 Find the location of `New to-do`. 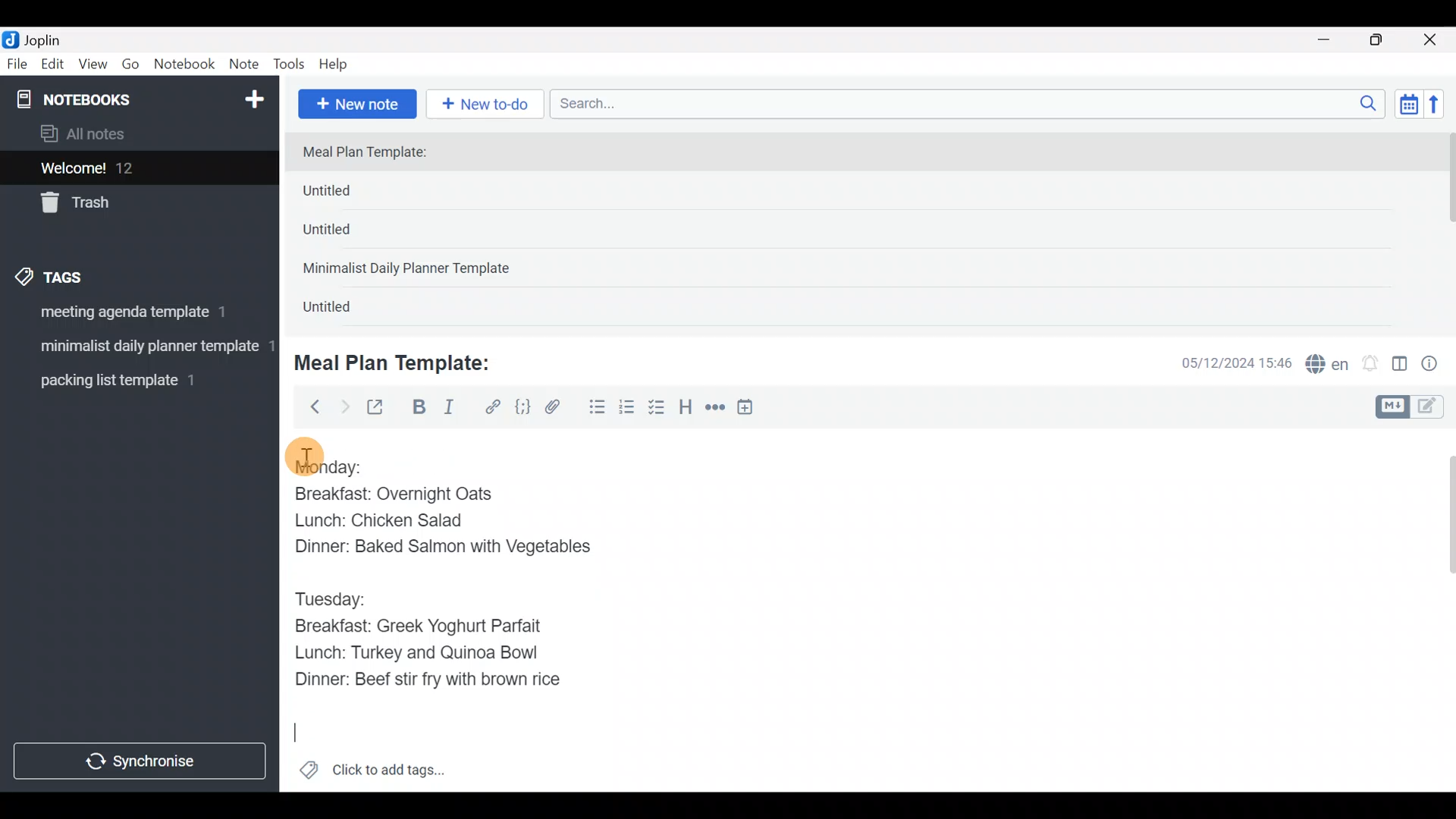

New to-do is located at coordinates (488, 105).